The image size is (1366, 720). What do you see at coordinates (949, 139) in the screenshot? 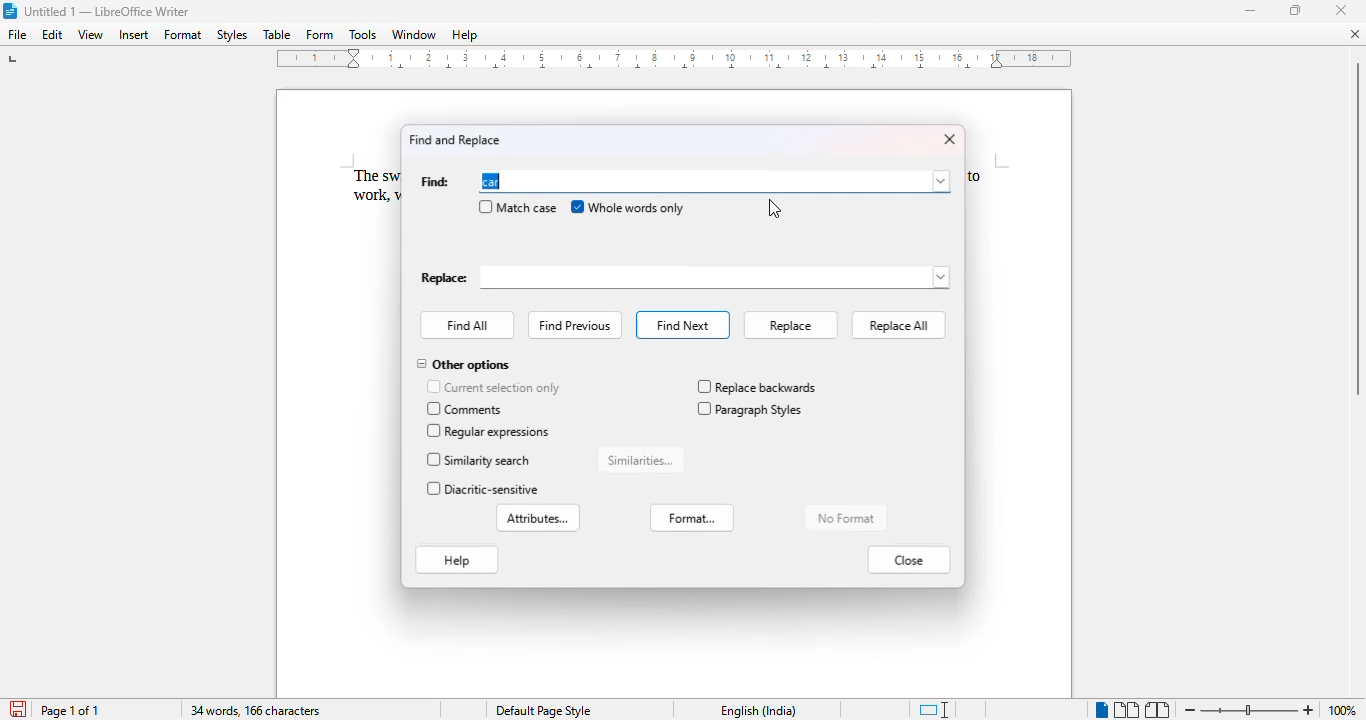
I see `close` at bounding box center [949, 139].